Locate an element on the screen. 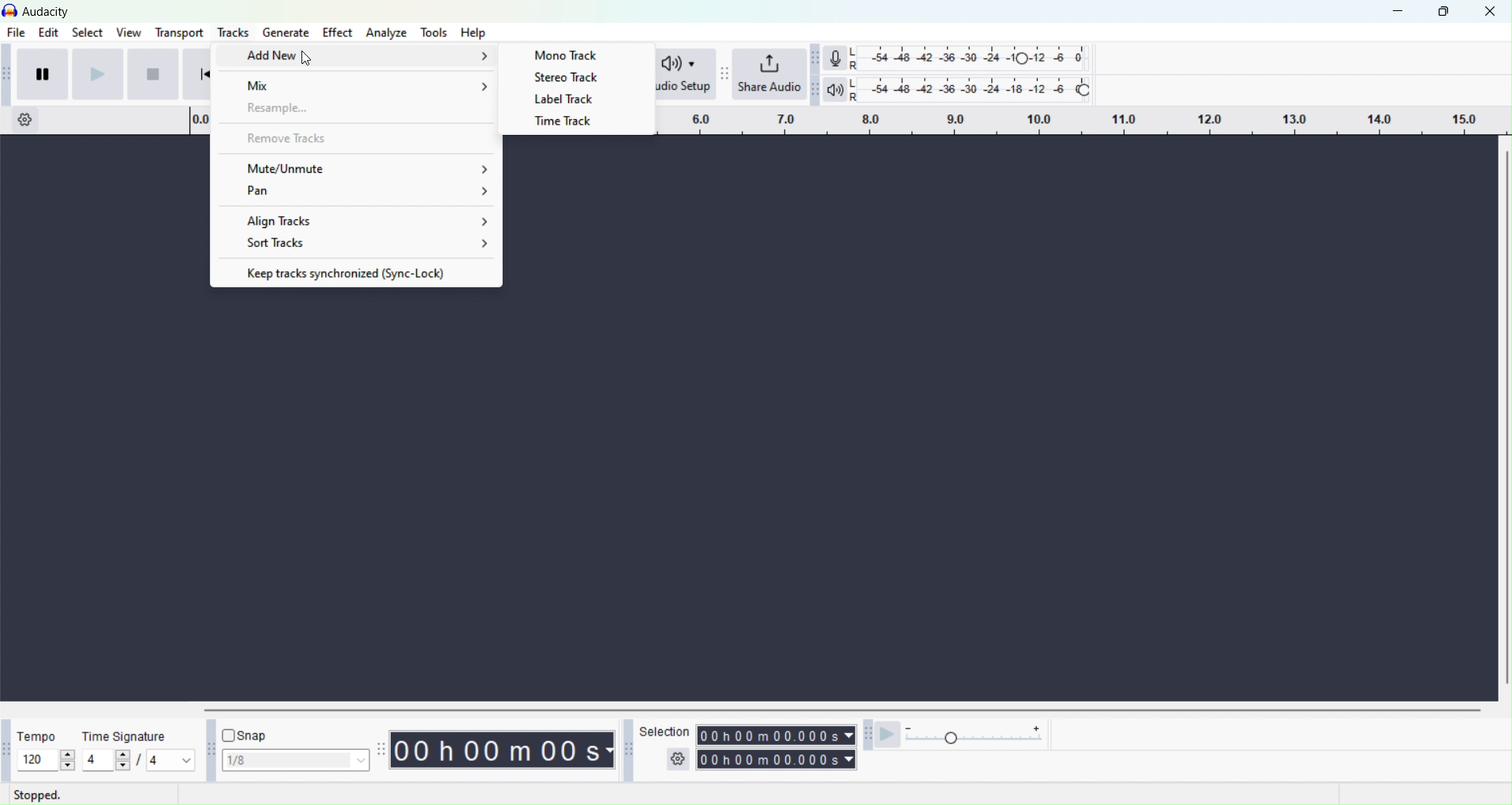 This screenshot has height=805, width=1512. Playback speed is located at coordinates (983, 736).